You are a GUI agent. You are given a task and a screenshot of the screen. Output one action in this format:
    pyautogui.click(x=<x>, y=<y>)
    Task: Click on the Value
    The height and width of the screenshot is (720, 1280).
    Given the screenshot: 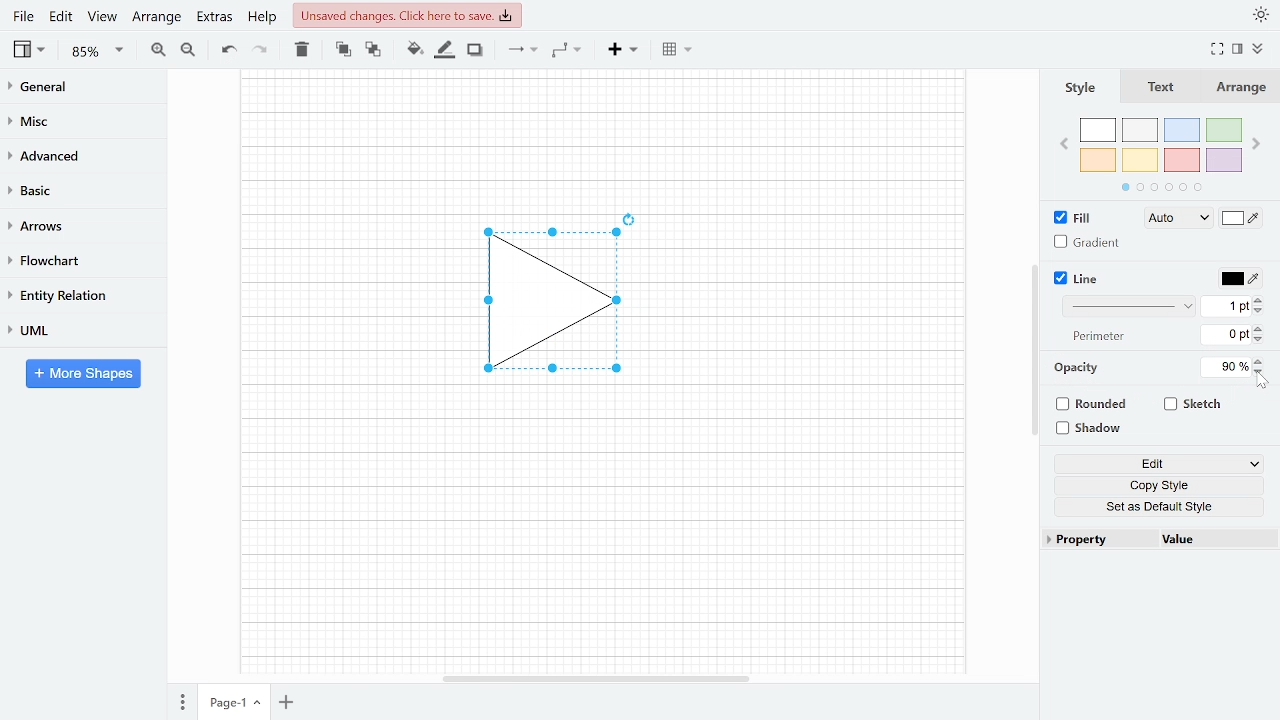 What is the action you would take?
    pyautogui.click(x=1213, y=541)
    